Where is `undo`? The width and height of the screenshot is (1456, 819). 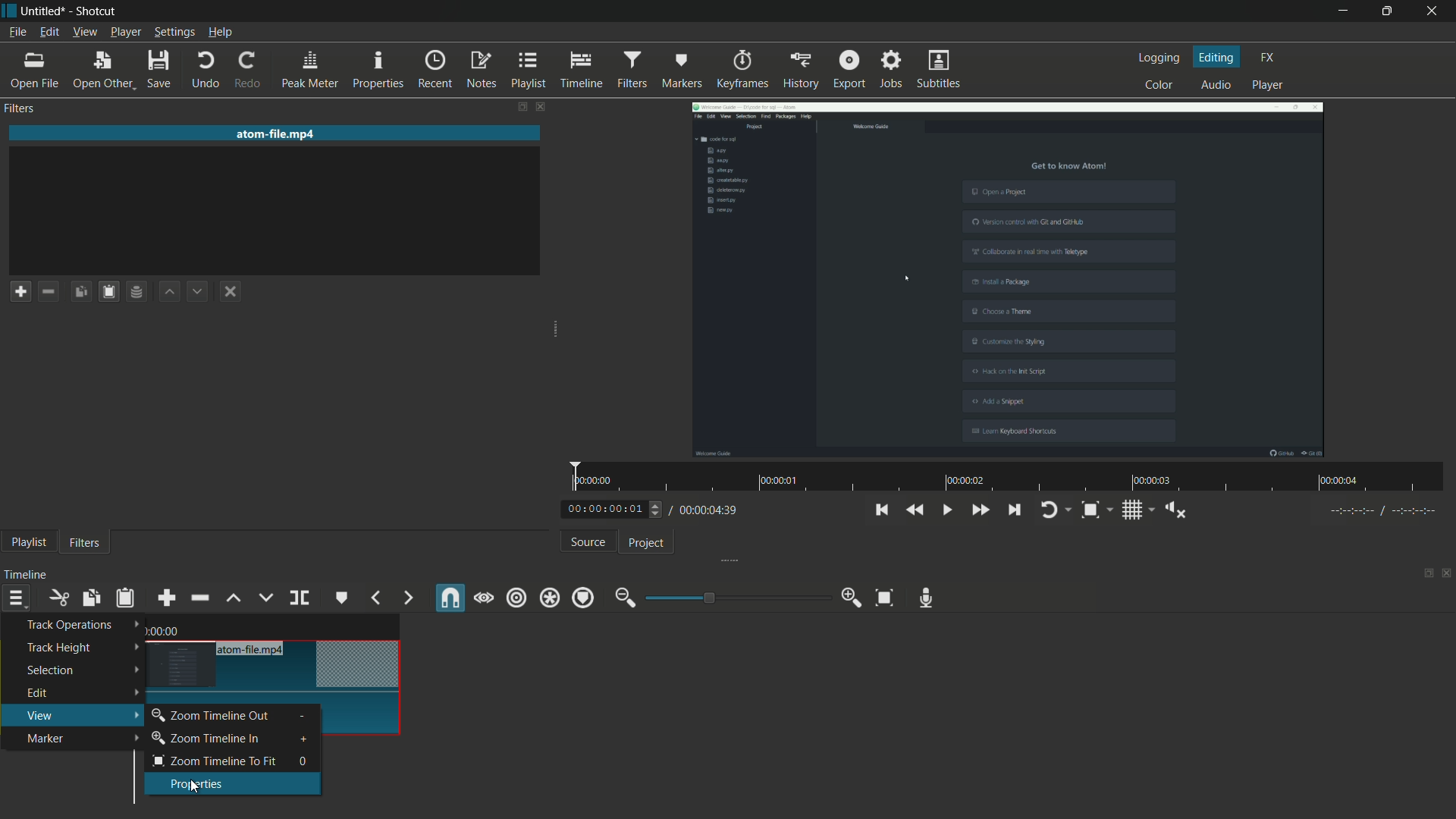
undo is located at coordinates (203, 71).